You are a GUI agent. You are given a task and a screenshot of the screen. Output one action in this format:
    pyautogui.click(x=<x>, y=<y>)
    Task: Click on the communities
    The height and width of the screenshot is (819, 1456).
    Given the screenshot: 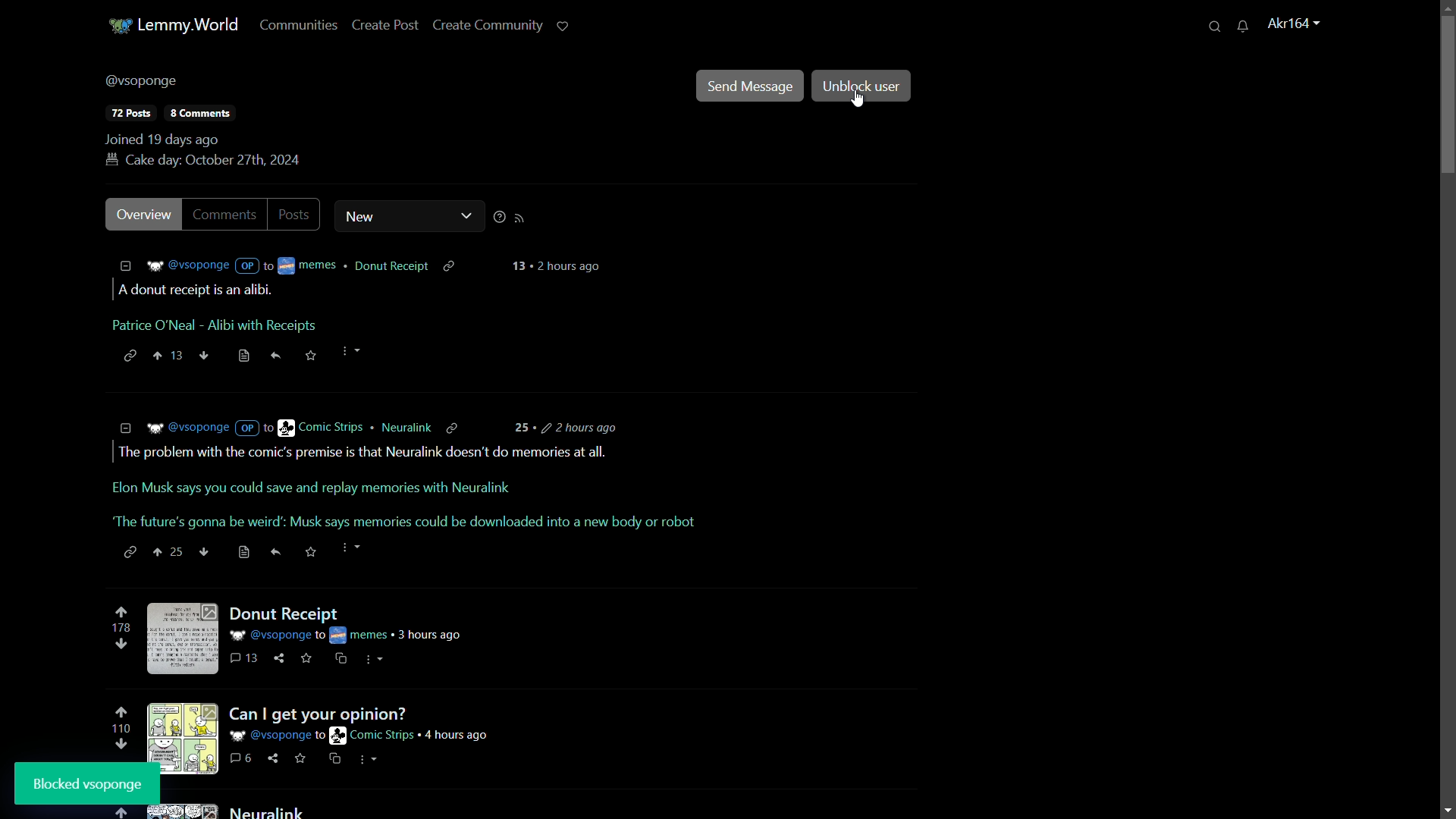 What is the action you would take?
    pyautogui.click(x=299, y=27)
    